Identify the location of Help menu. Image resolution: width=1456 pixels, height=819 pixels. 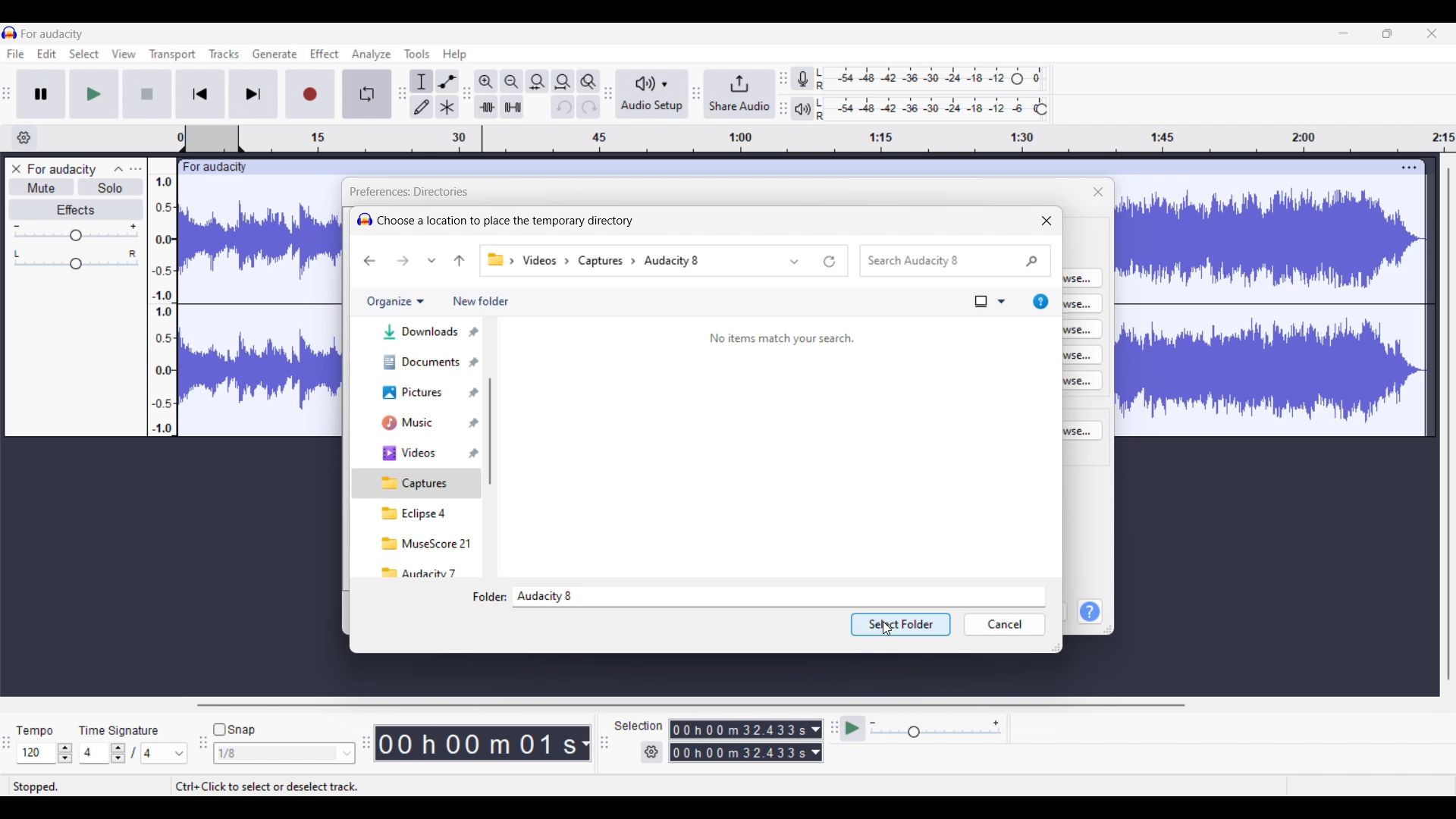
(455, 55).